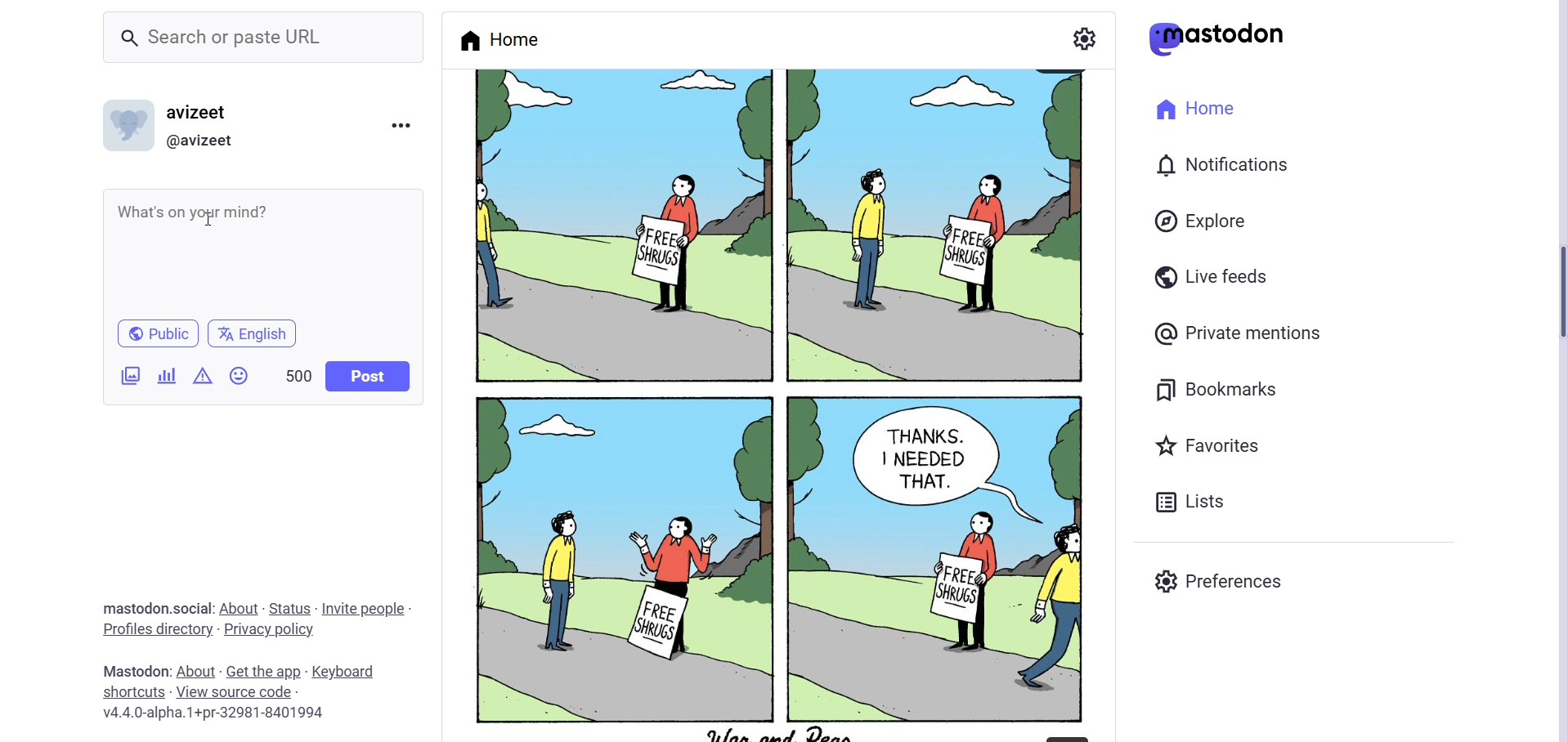 The image size is (1568, 742). What do you see at coordinates (194, 671) in the screenshot?
I see `About` at bounding box center [194, 671].